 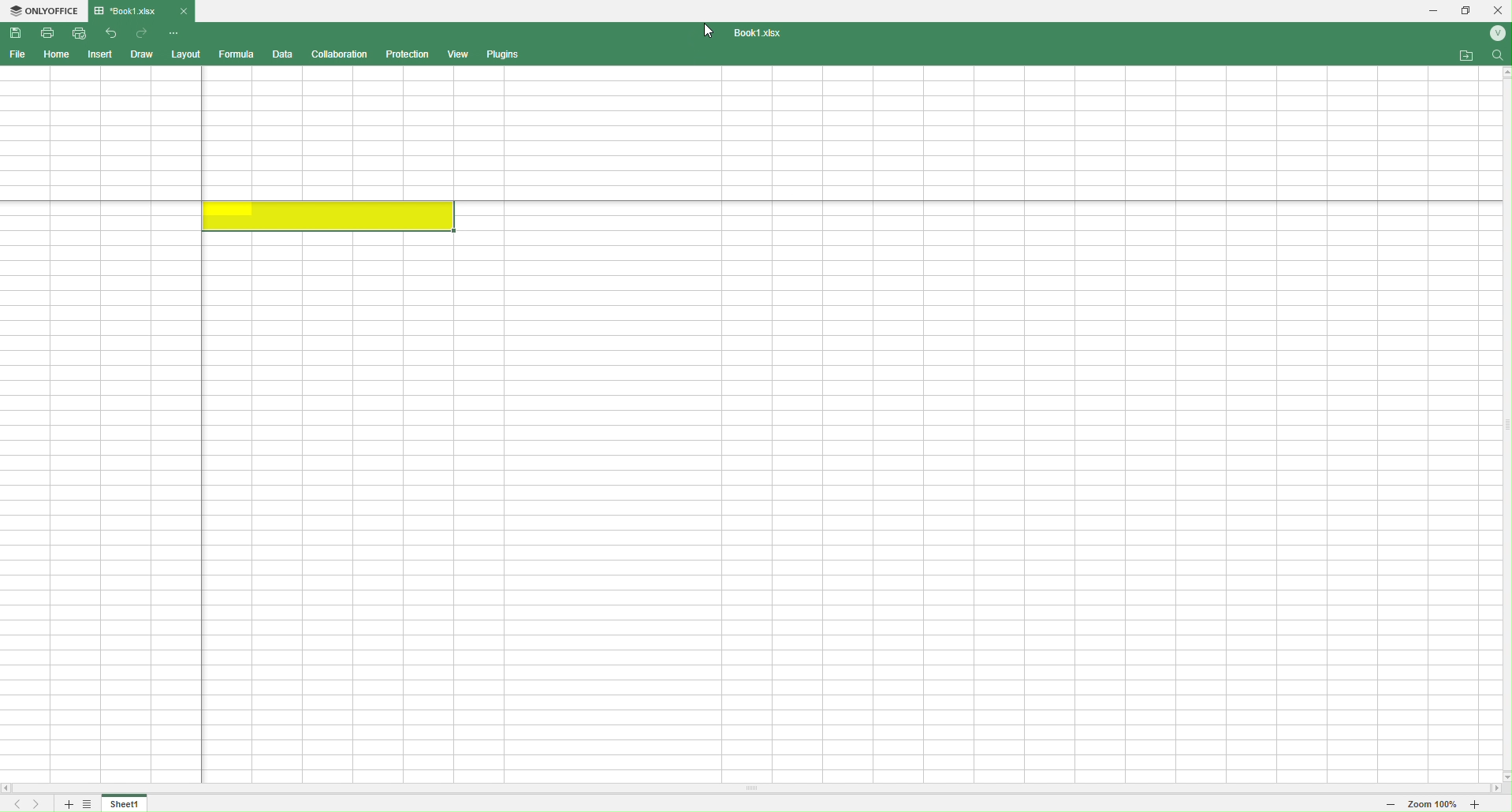 I want to click on Account name, so click(x=1494, y=33).